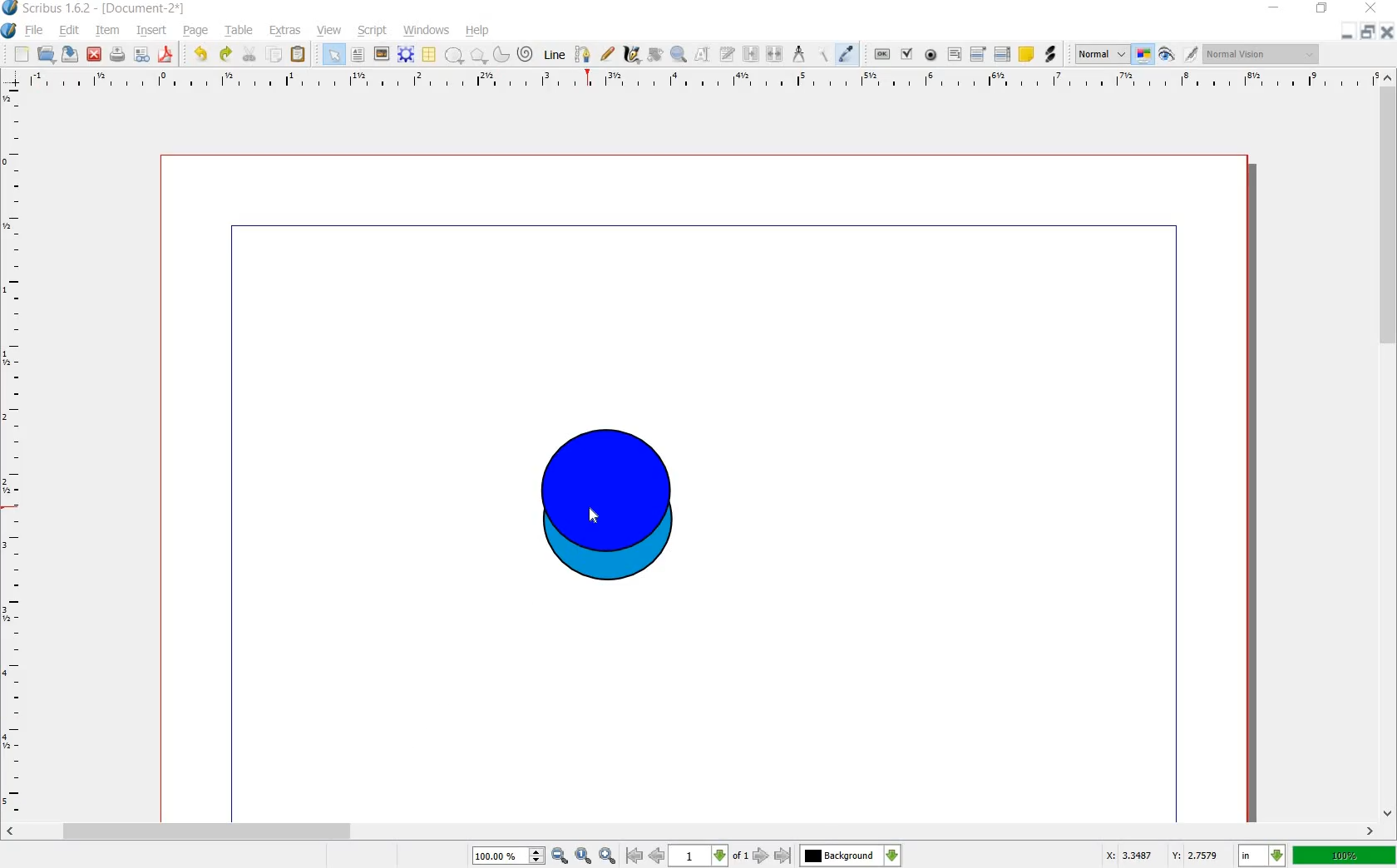 The height and width of the screenshot is (868, 1397). Describe the element at coordinates (1163, 857) in the screenshot. I see `coordinates` at that location.